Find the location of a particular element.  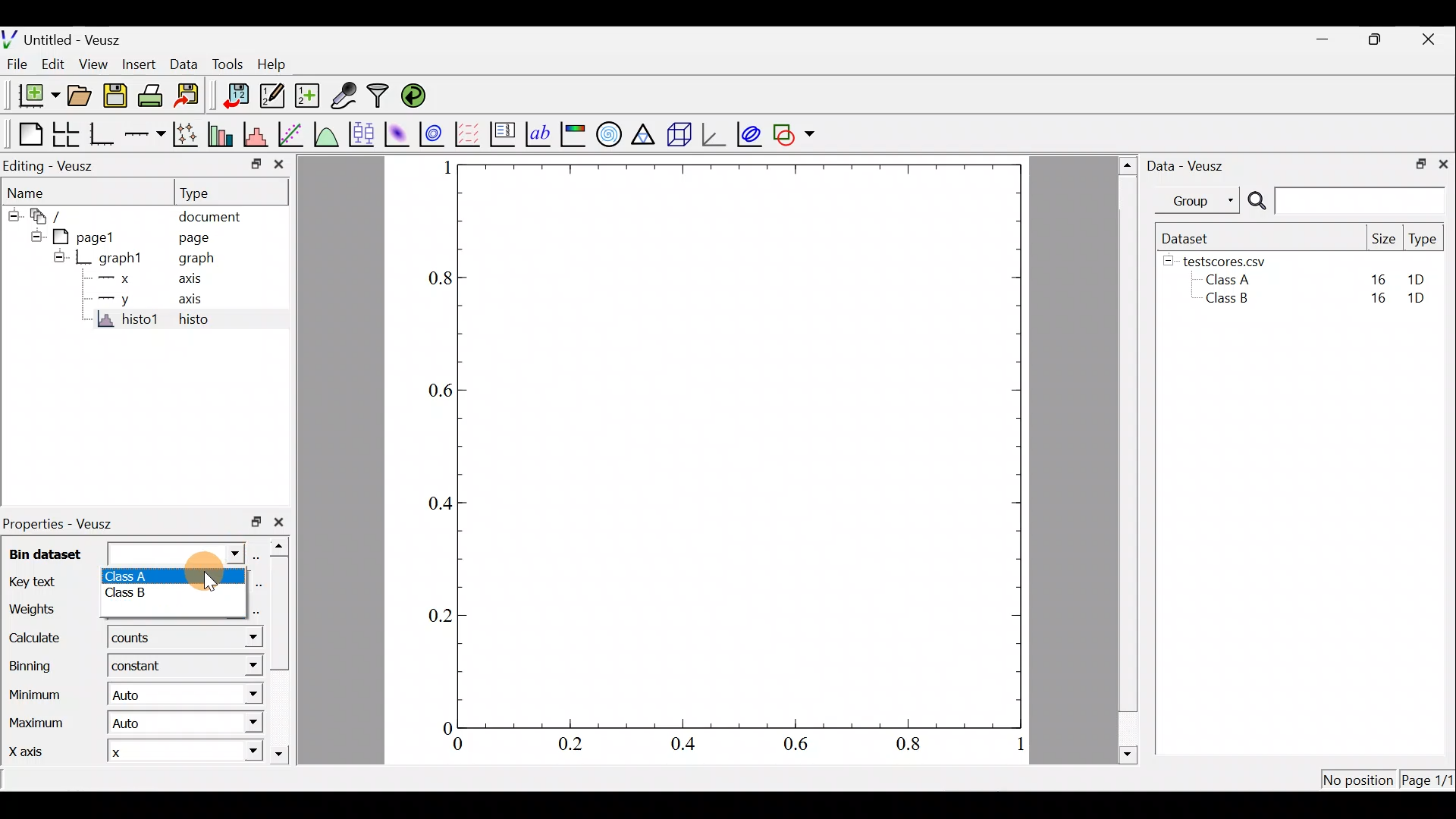

close is located at coordinates (278, 165).